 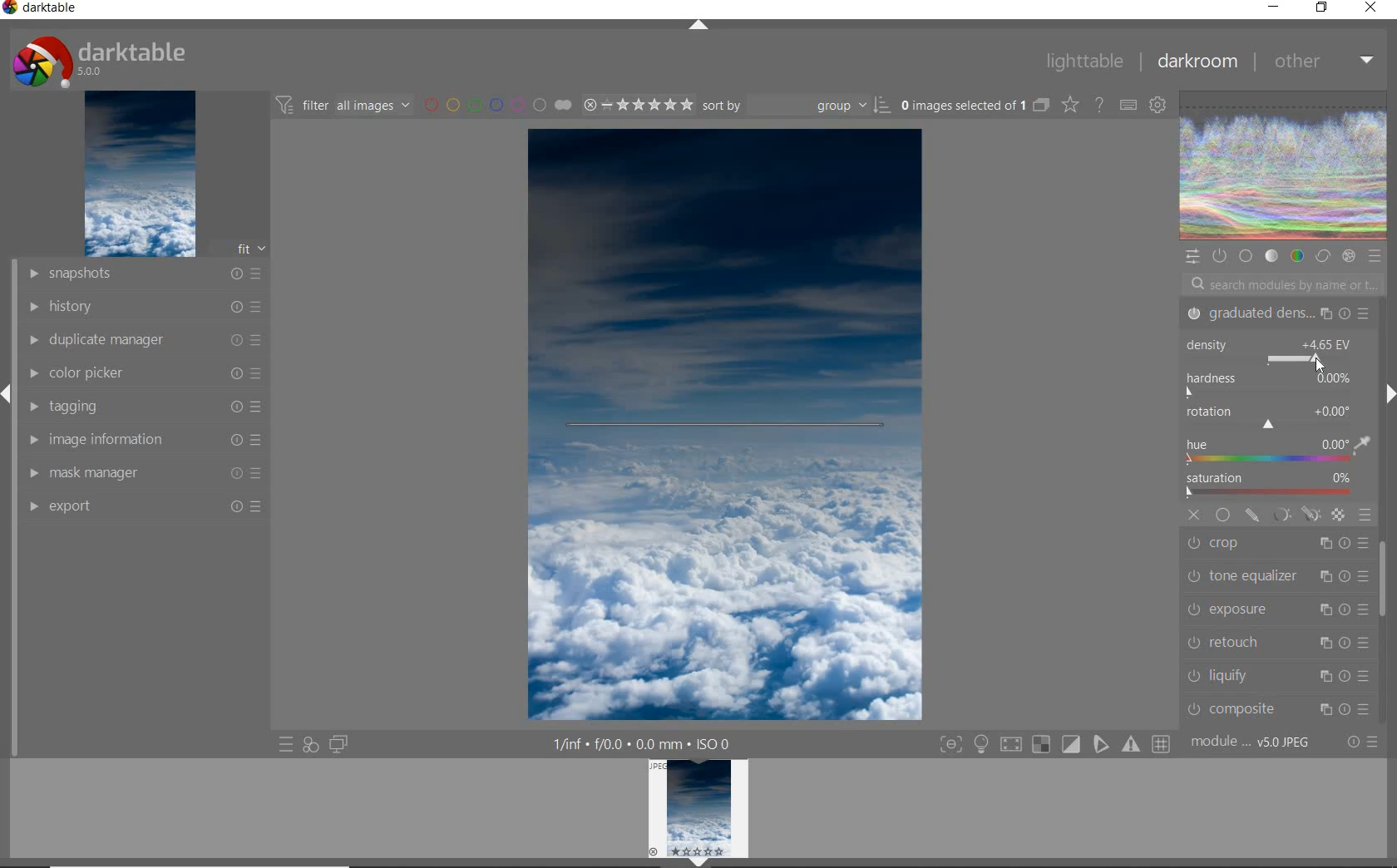 What do you see at coordinates (1251, 745) in the screenshot?
I see `module ... v5.0 JPEG` at bounding box center [1251, 745].